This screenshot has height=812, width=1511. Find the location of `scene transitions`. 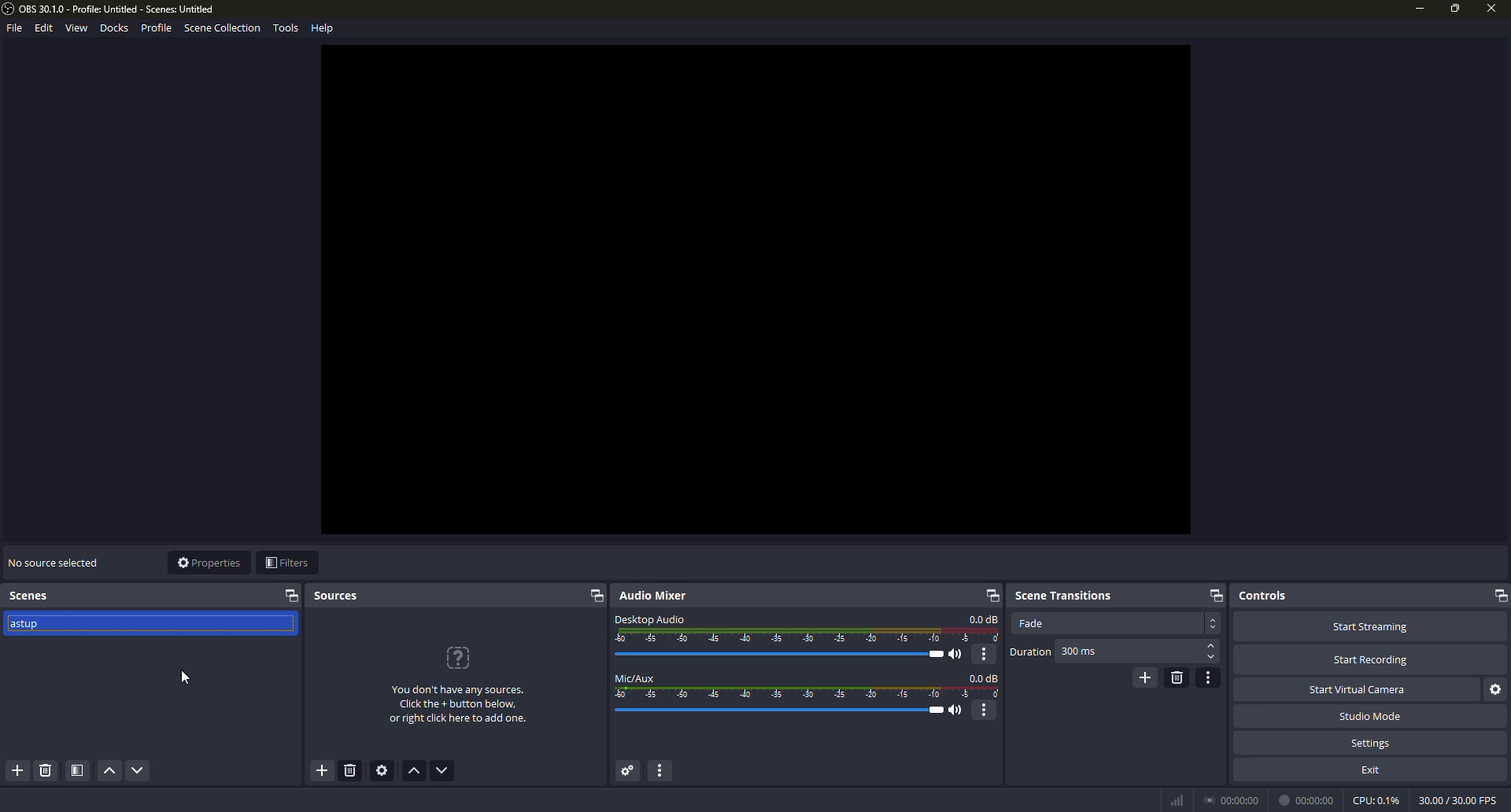

scene transitions is located at coordinates (1063, 593).